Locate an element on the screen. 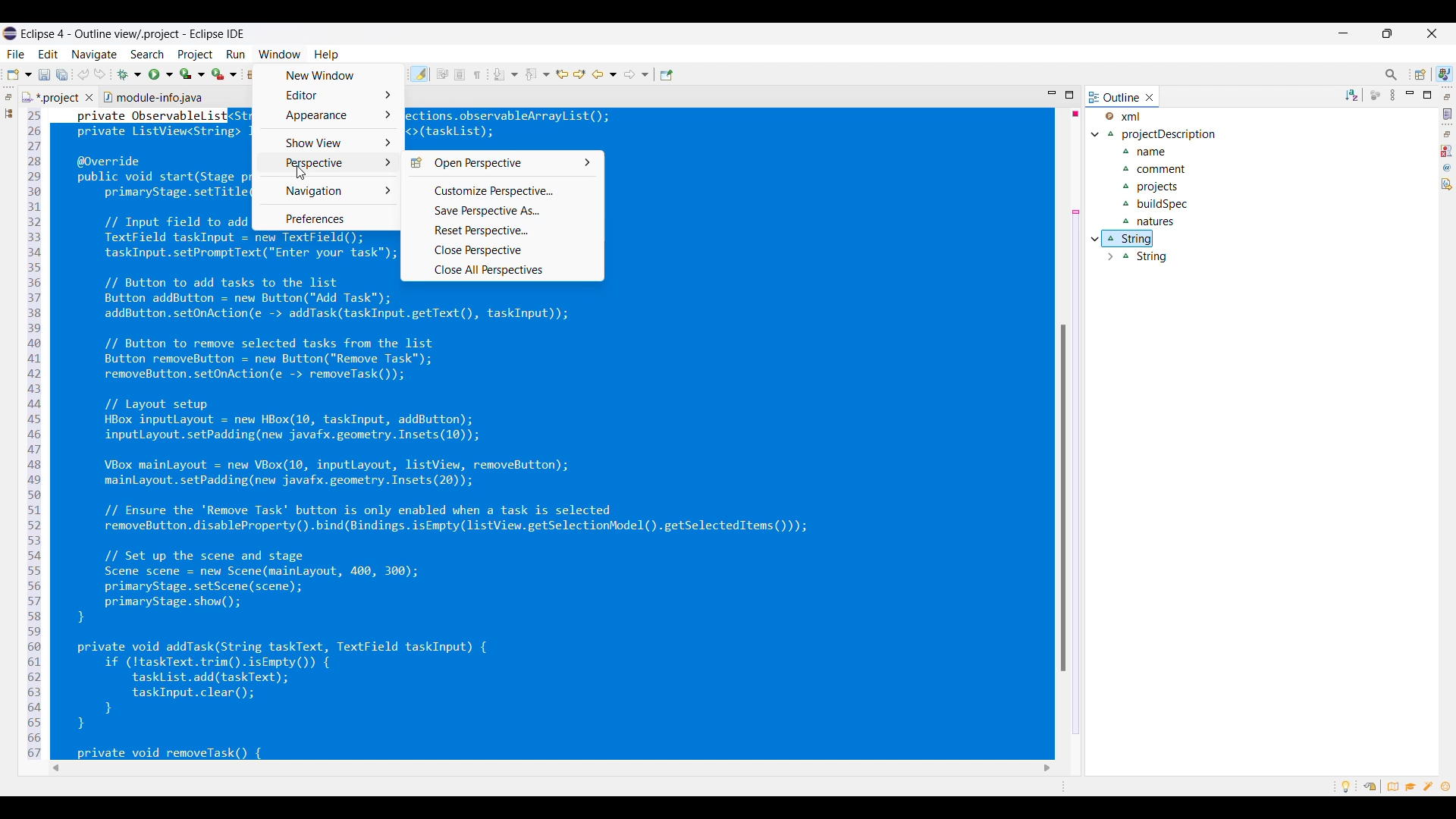 This screenshot has width=1456, height=819. Preferences is located at coordinates (328, 218).